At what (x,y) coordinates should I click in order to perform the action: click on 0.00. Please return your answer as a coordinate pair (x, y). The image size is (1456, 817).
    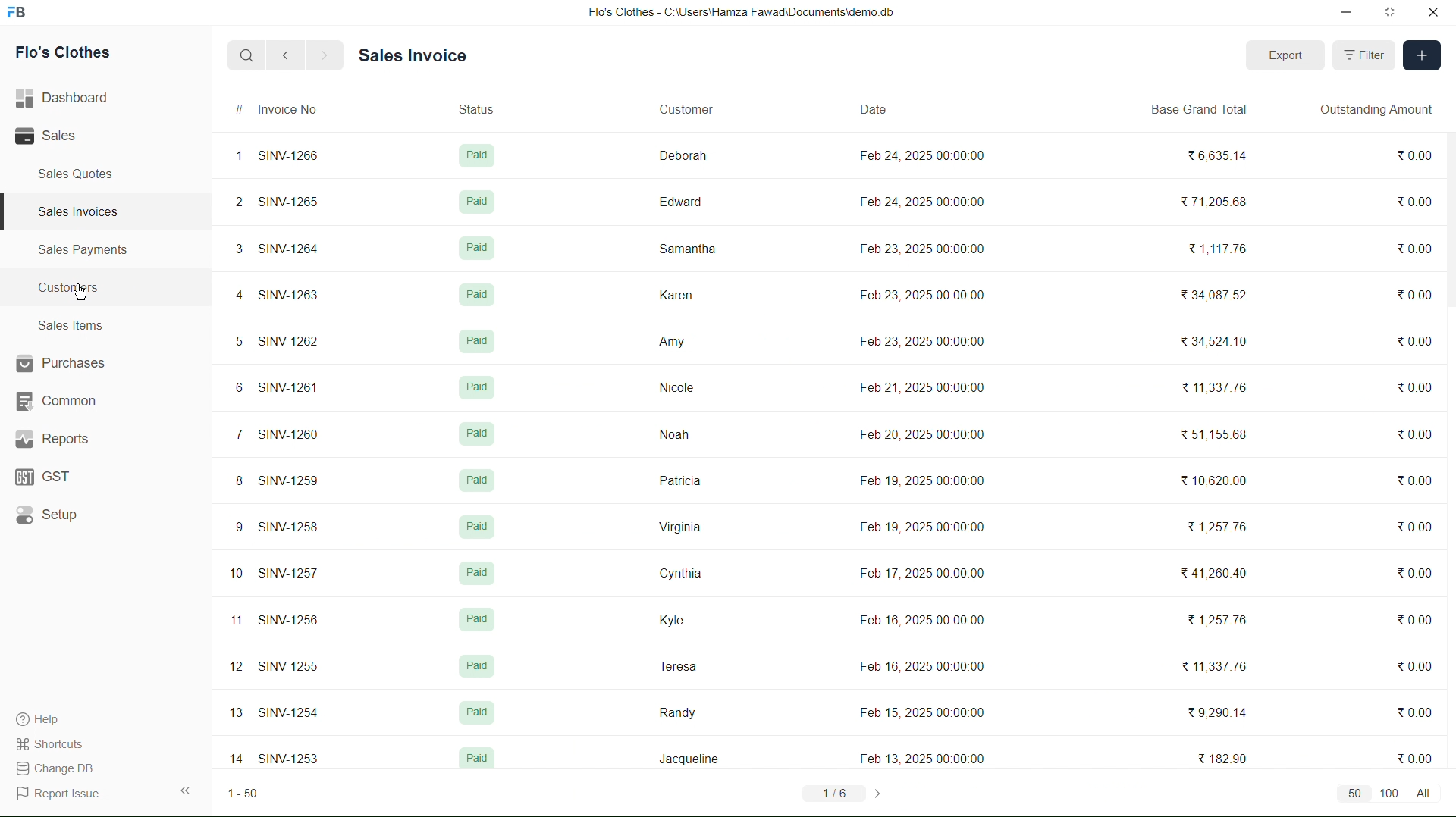
    Looking at the image, I should click on (1417, 203).